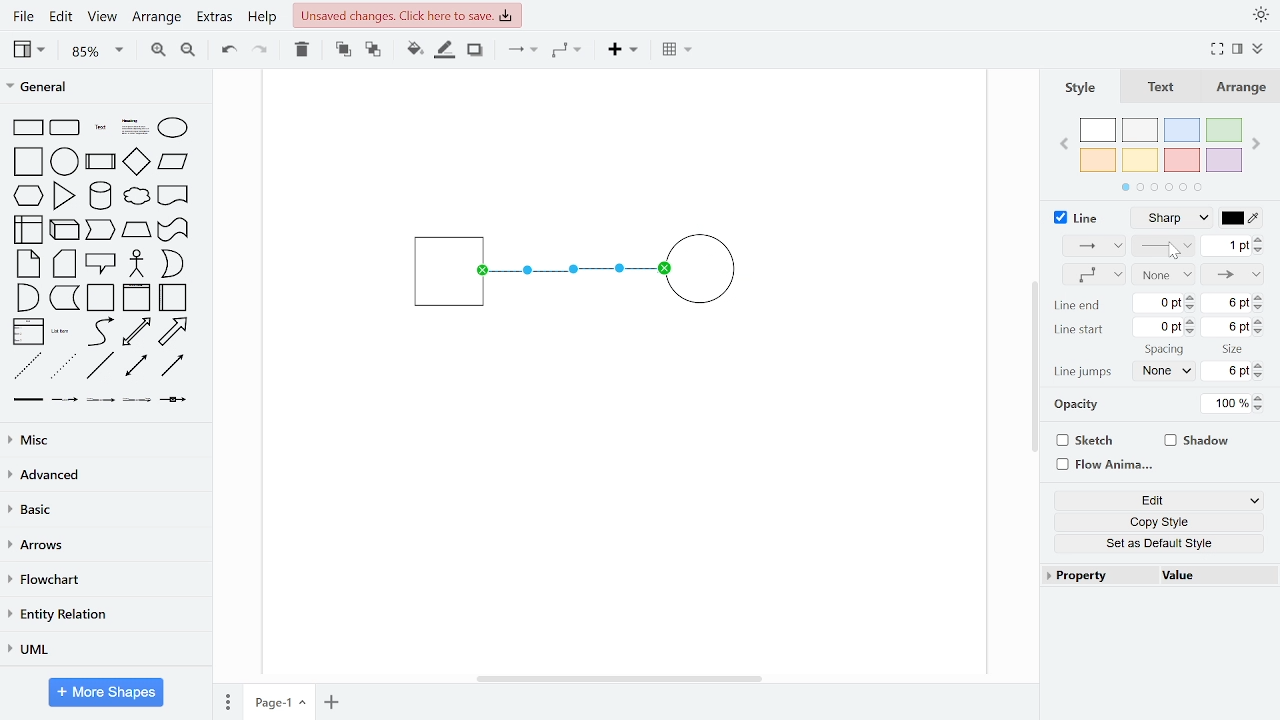 This screenshot has width=1280, height=720. Describe the element at coordinates (102, 474) in the screenshot. I see `advanced` at that location.